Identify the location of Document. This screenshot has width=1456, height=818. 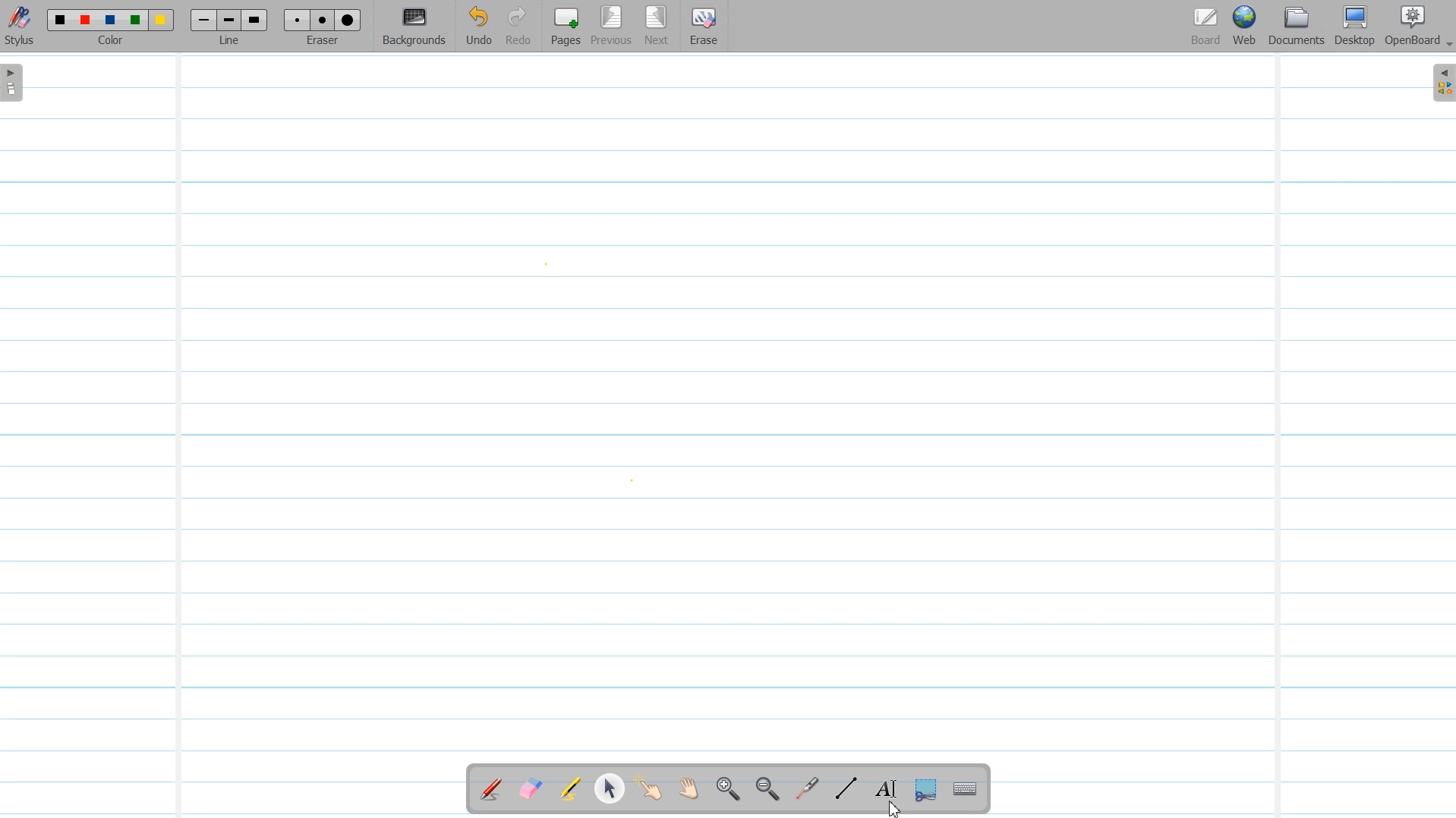
(1298, 26).